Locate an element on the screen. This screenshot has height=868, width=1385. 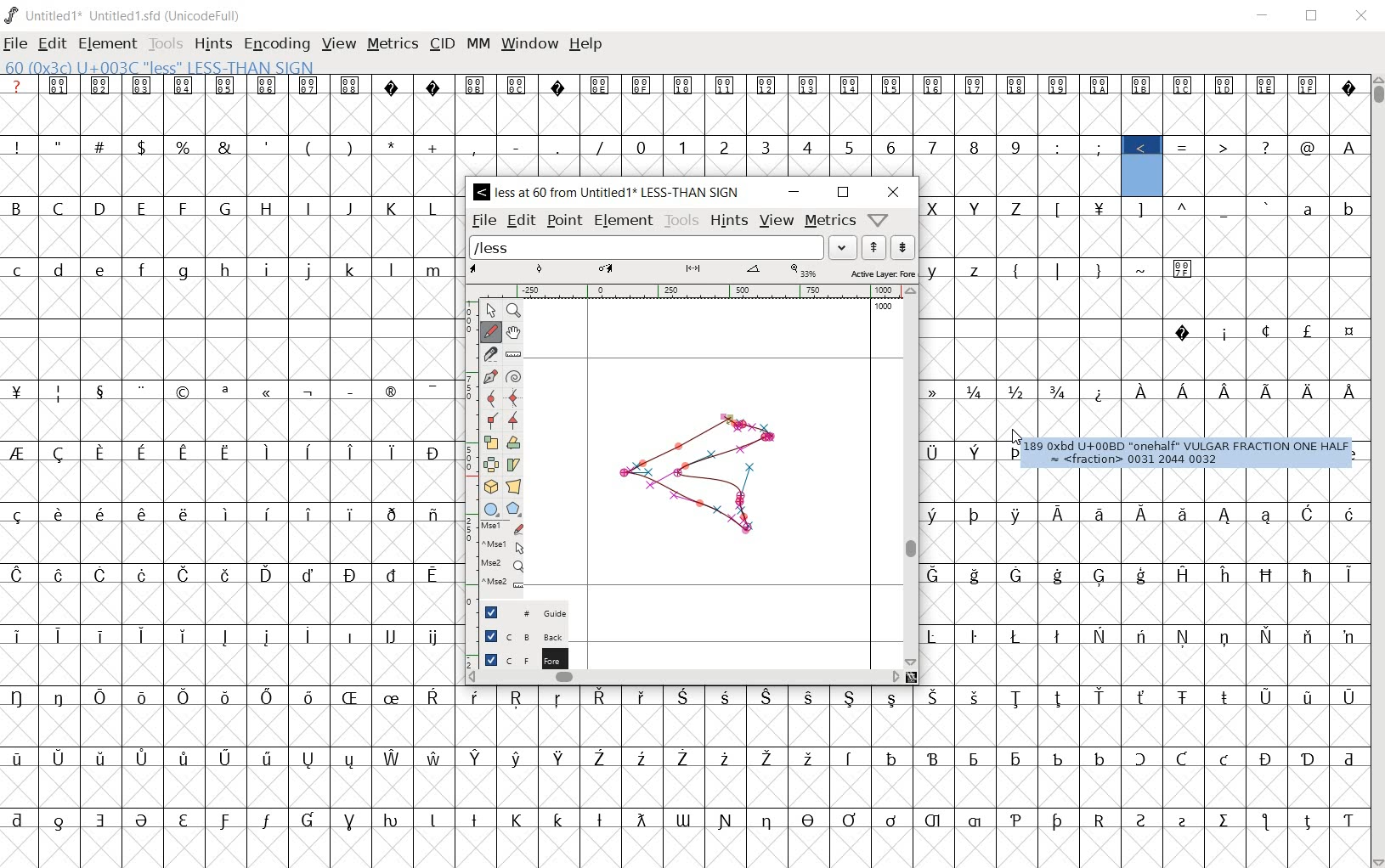
file is located at coordinates (484, 220).